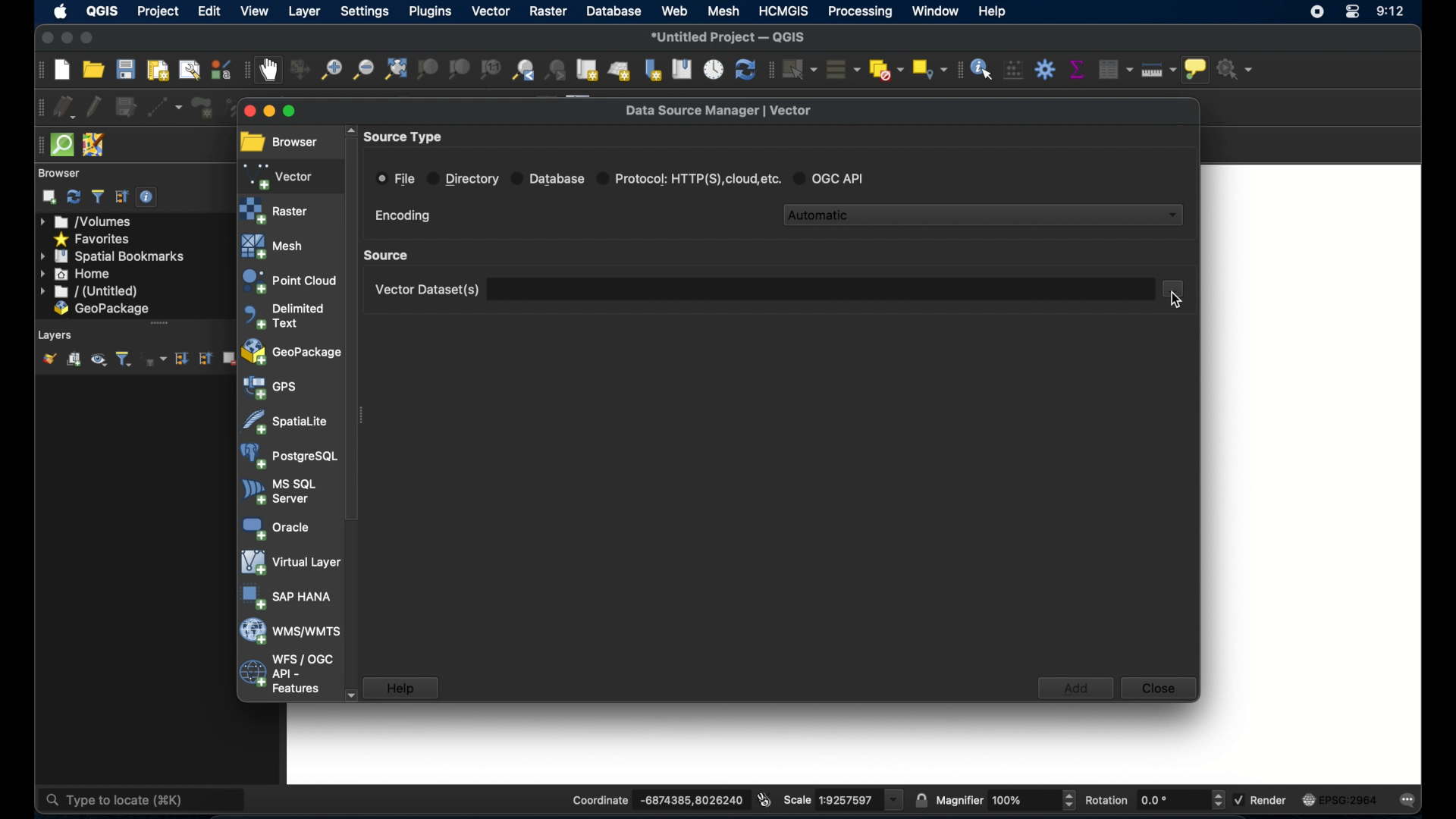  What do you see at coordinates (1317, 11) in the screenshot?
I see `screen recorder icon` at bounding box center [1317, 11].